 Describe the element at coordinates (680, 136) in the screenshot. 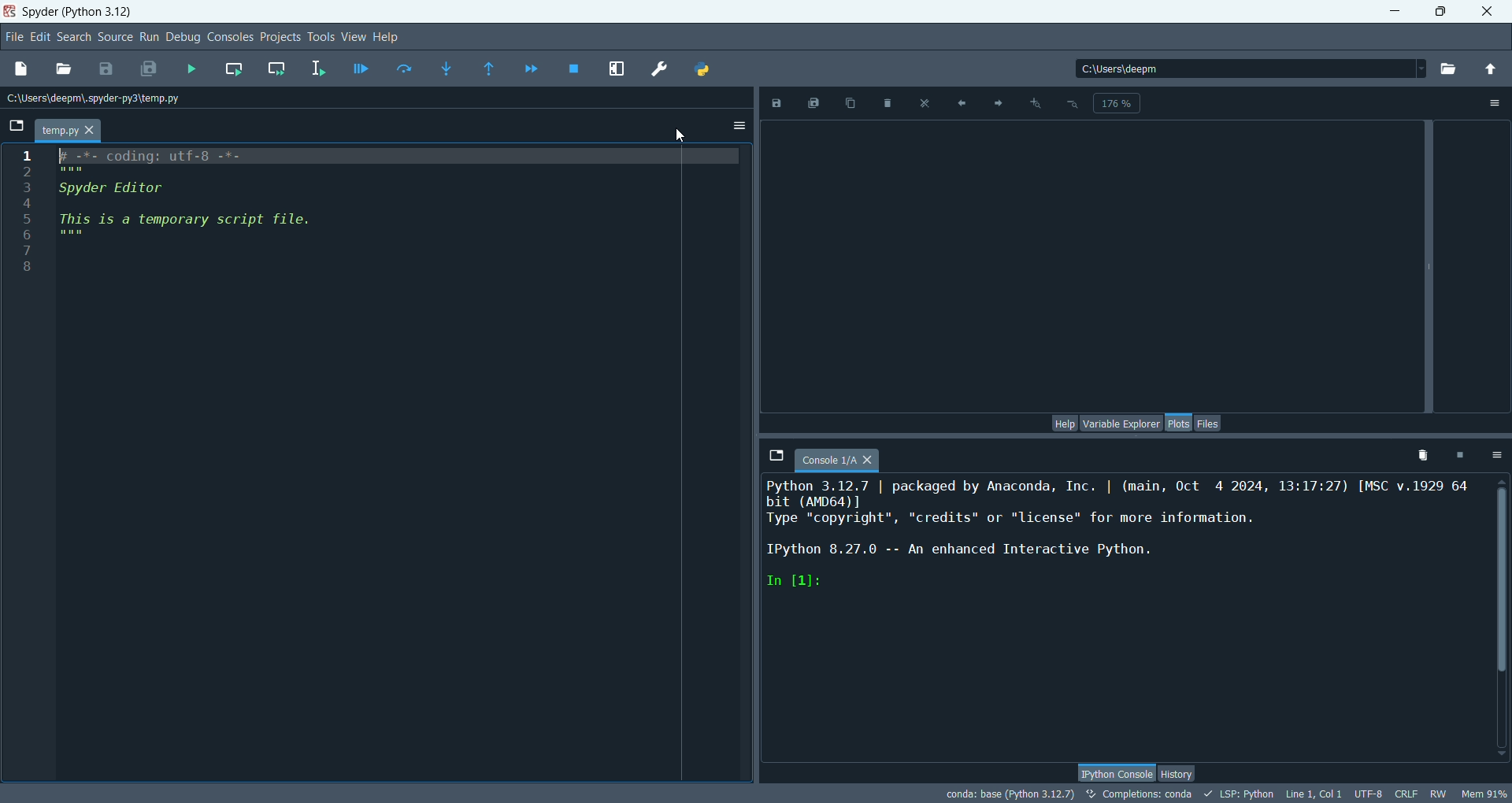

I see `cursor` at that location.